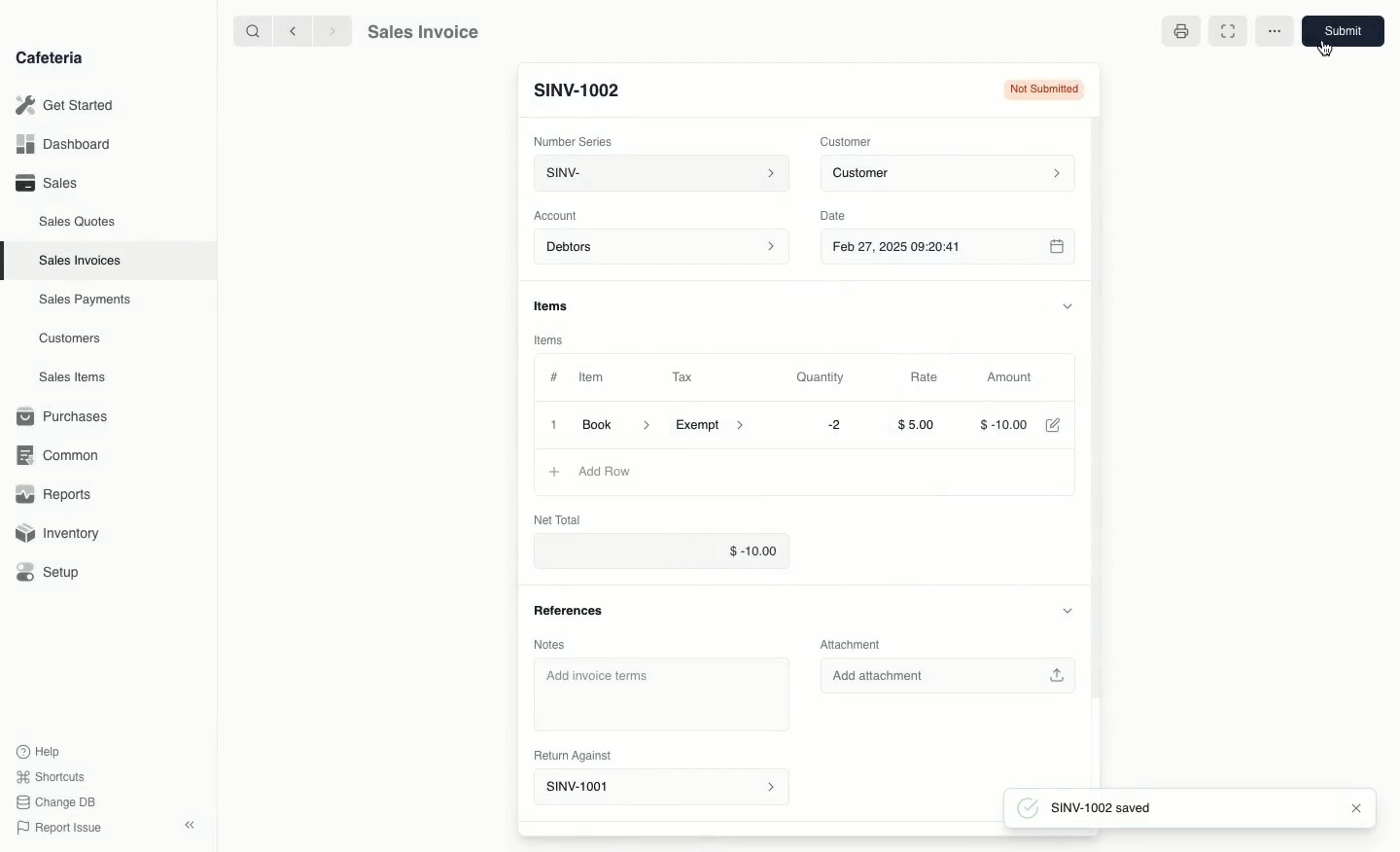 The height and width of the screenshot is (852, 1400). I want to click on Customer, so click(954, 174).